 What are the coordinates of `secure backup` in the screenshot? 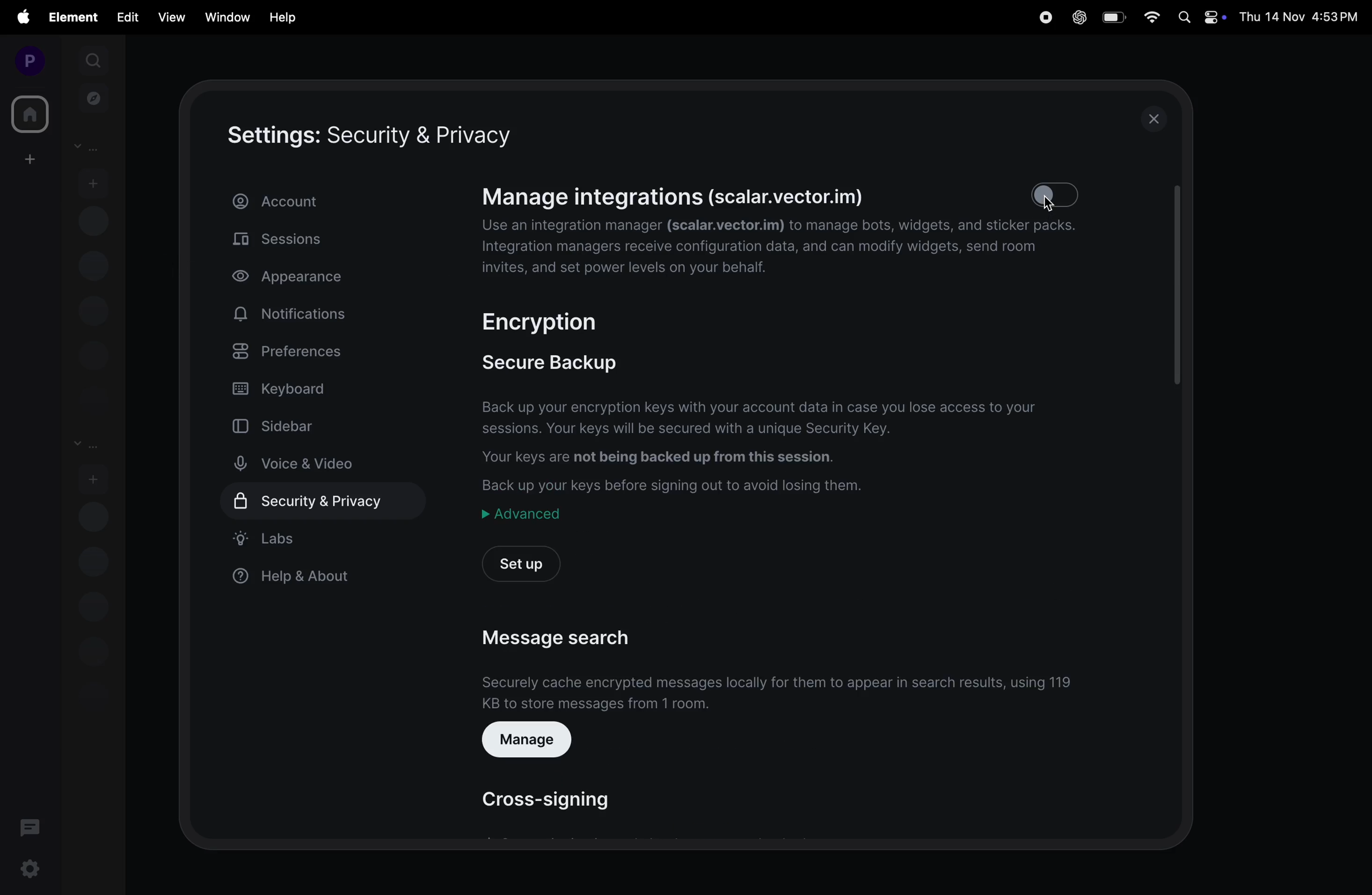 It's located at (559, 362).